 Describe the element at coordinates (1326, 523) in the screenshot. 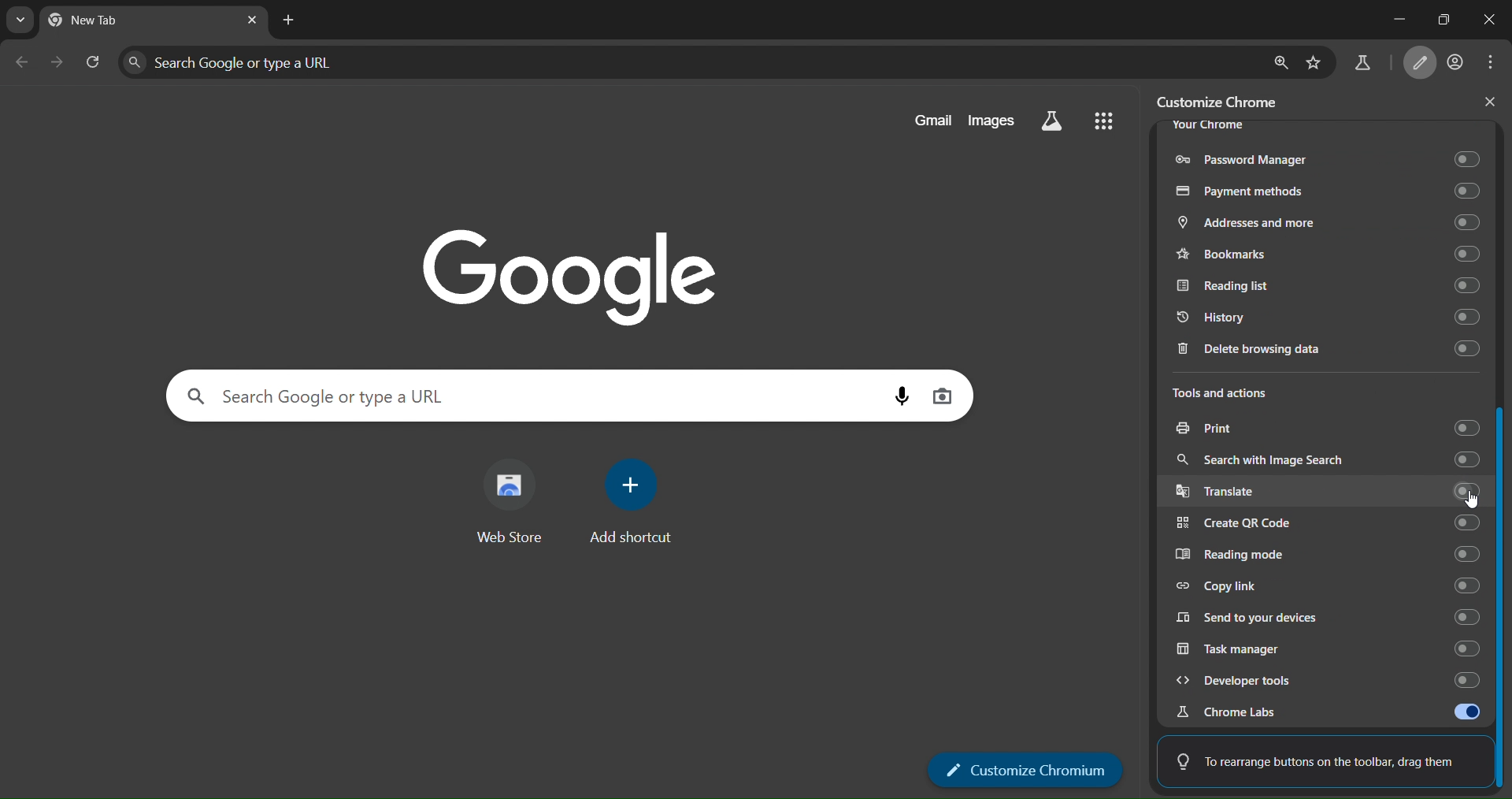

I see `create QR code` at that location.